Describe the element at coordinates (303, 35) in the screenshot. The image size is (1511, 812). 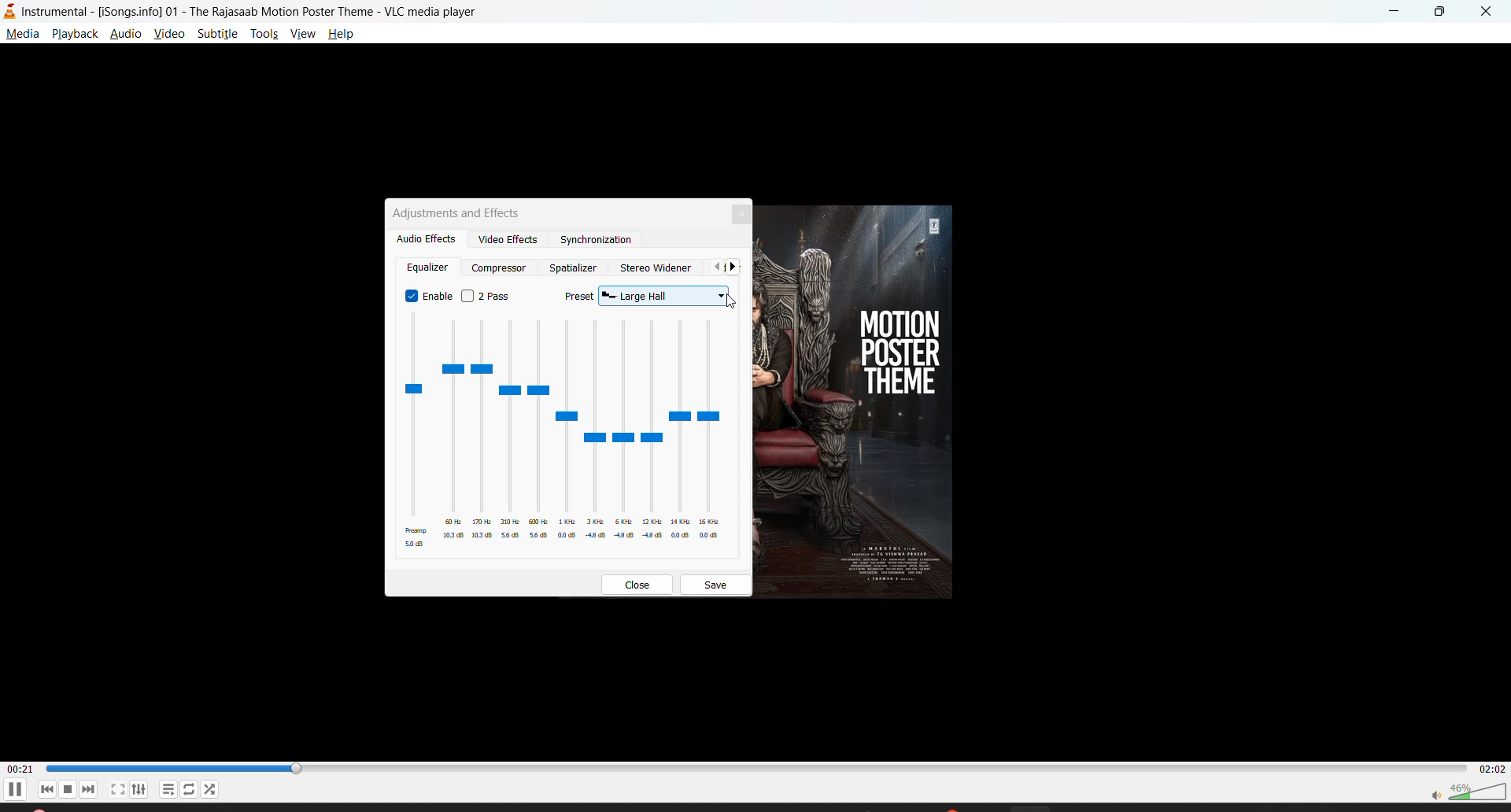
I see `view` at that location.